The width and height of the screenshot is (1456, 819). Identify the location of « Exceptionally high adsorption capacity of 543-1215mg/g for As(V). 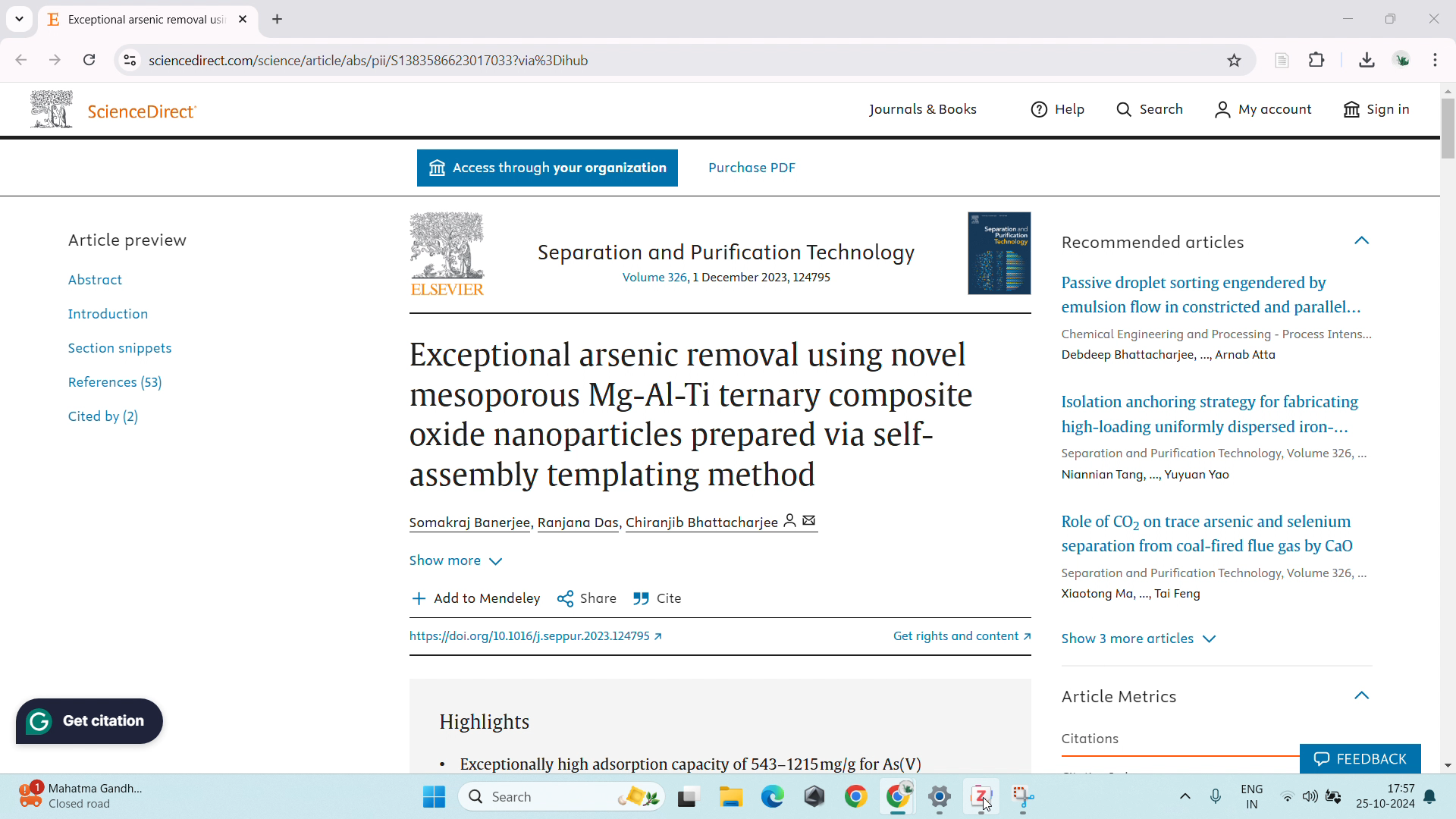
(683, 762).